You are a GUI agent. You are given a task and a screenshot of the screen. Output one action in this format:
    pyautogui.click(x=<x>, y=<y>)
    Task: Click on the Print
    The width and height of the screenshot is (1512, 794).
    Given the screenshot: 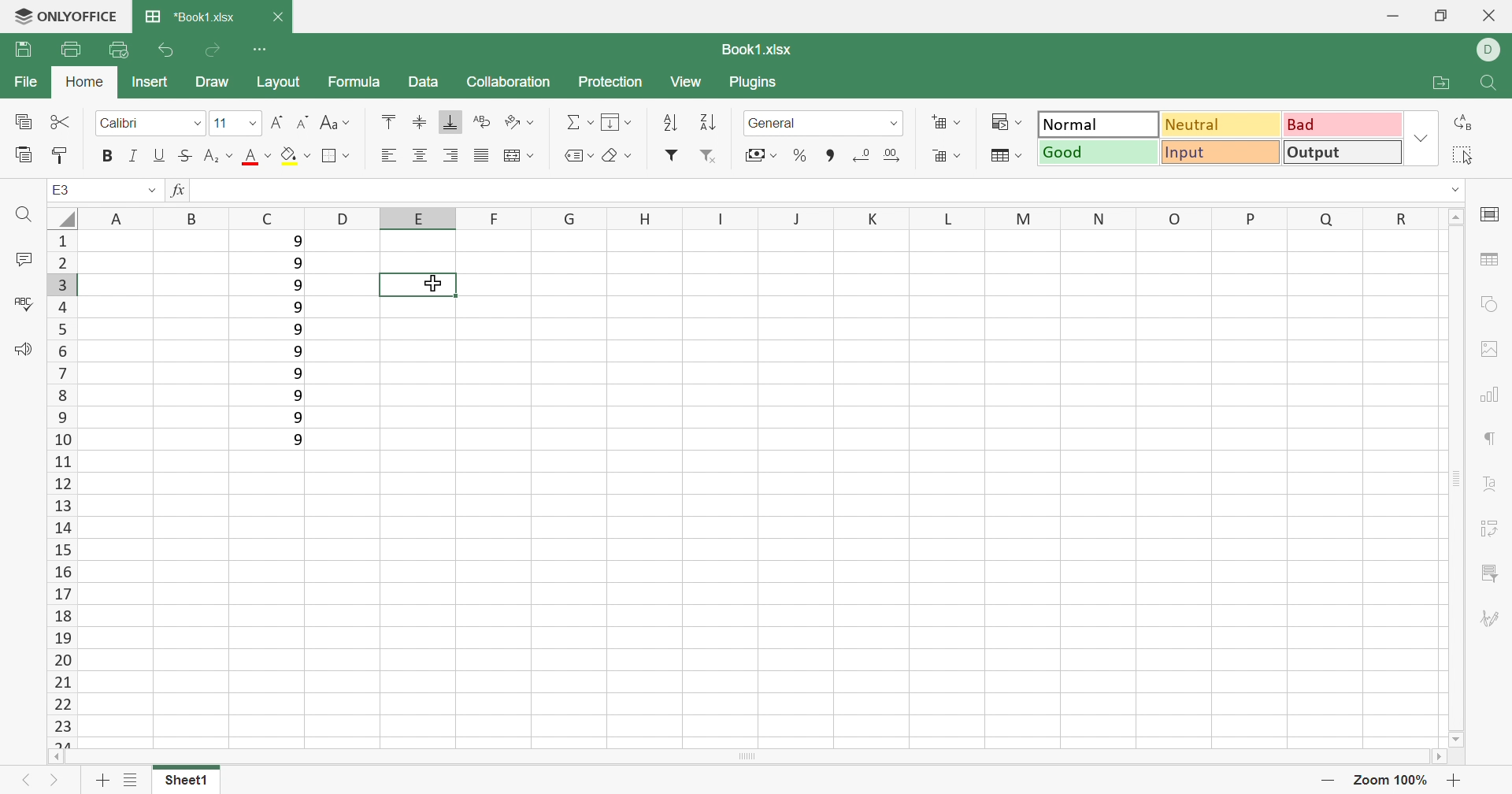 What is the action you would take?
    pyautogui.click(x=69, y=49)
    